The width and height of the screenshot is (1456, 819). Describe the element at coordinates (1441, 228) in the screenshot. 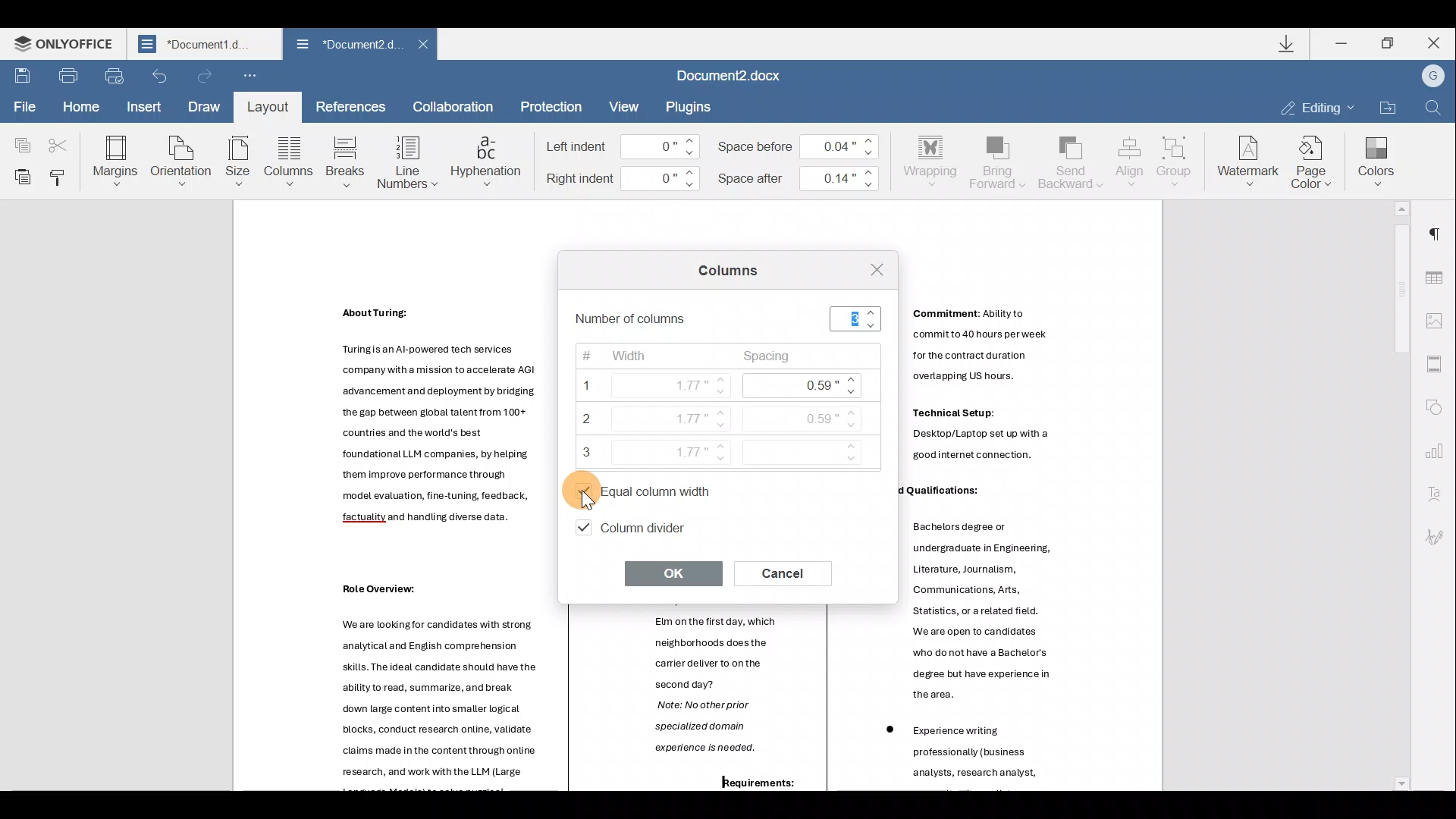

I see `Paragraph settings` at that location.